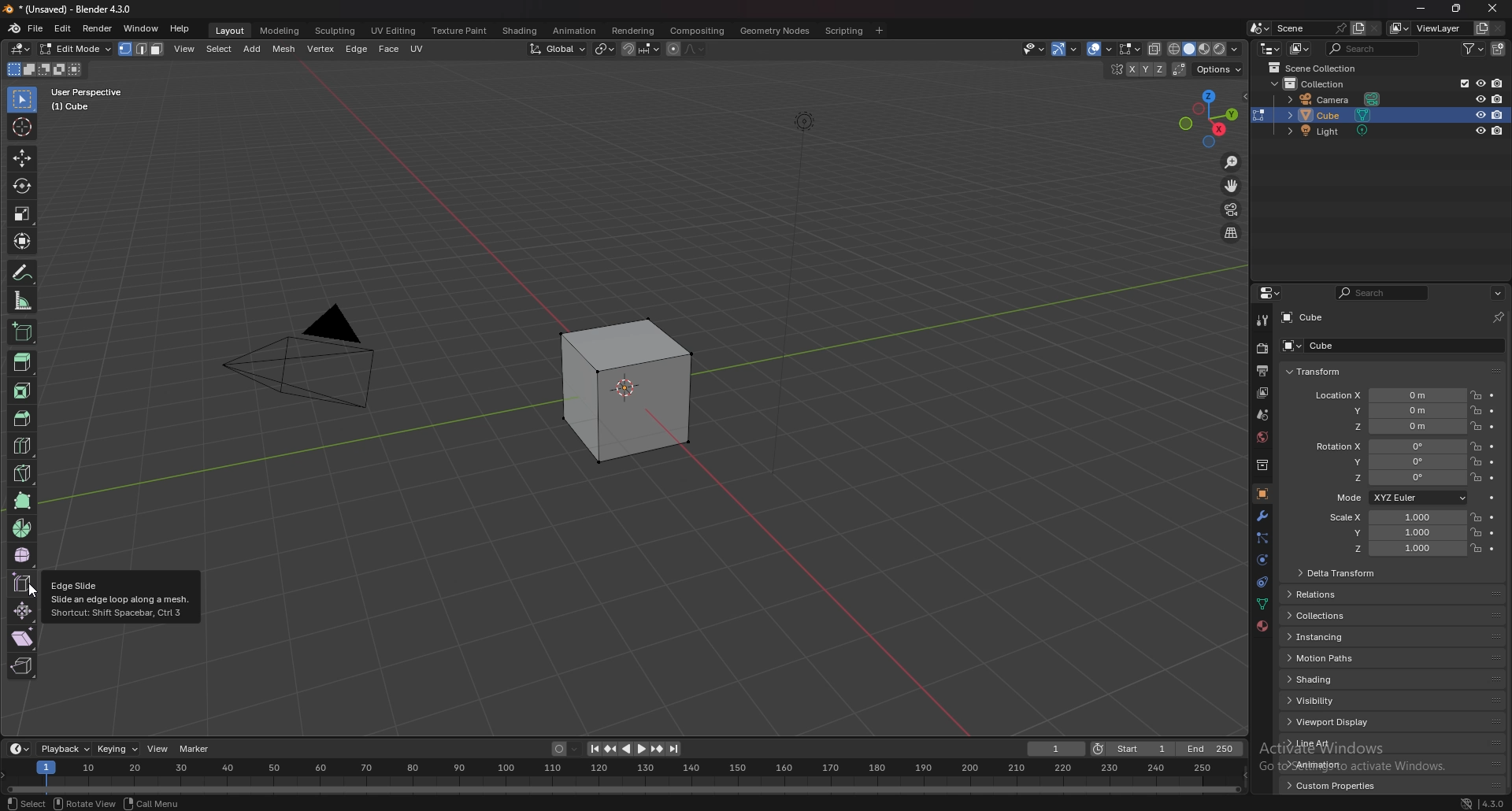 The image size is (1512, 811). What do you see at coordinates (1399, 550) in the screenshot?
I see `scale z` at bounding box center [1399, 550].